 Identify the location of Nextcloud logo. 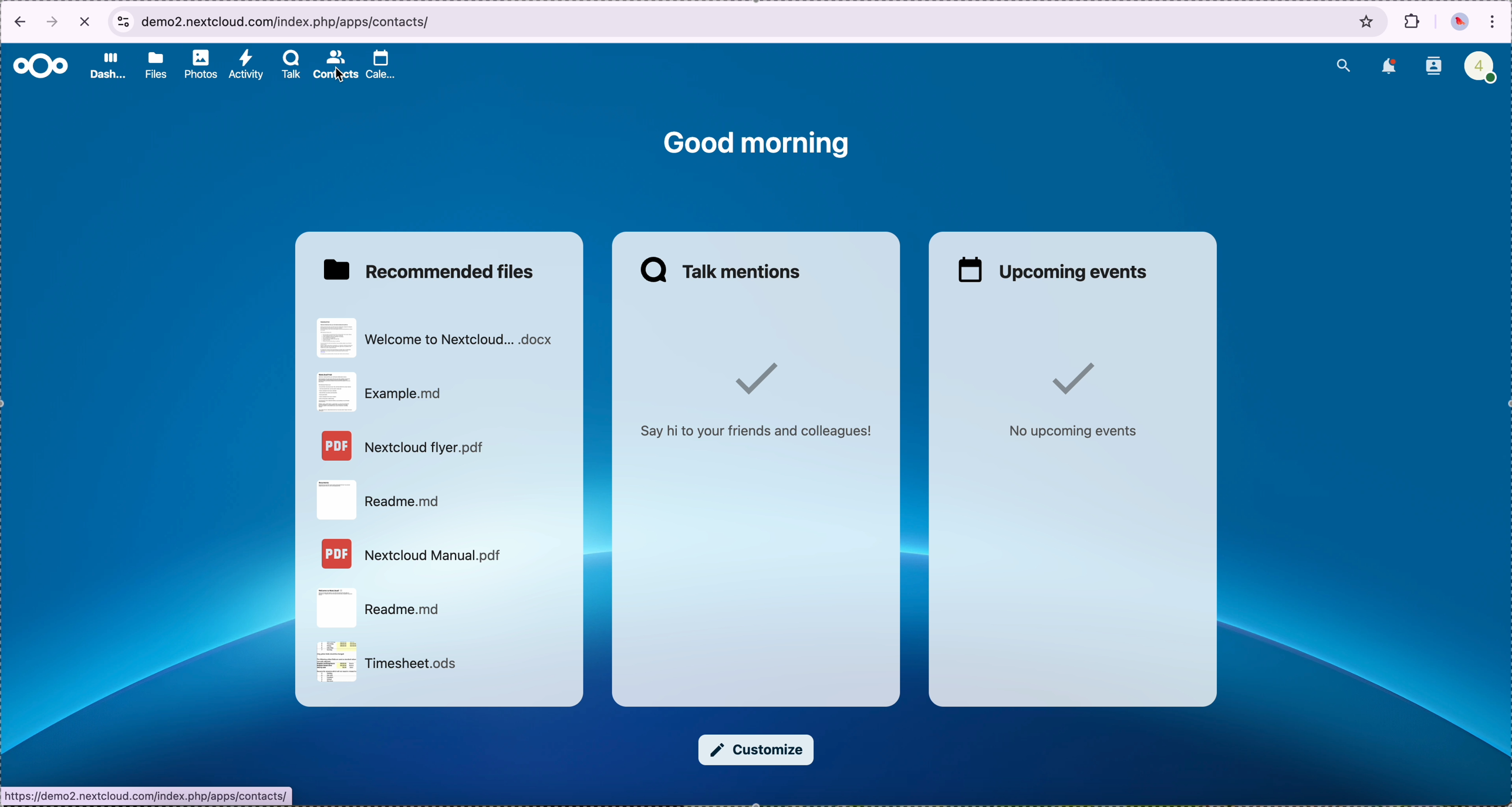
(38, 65).